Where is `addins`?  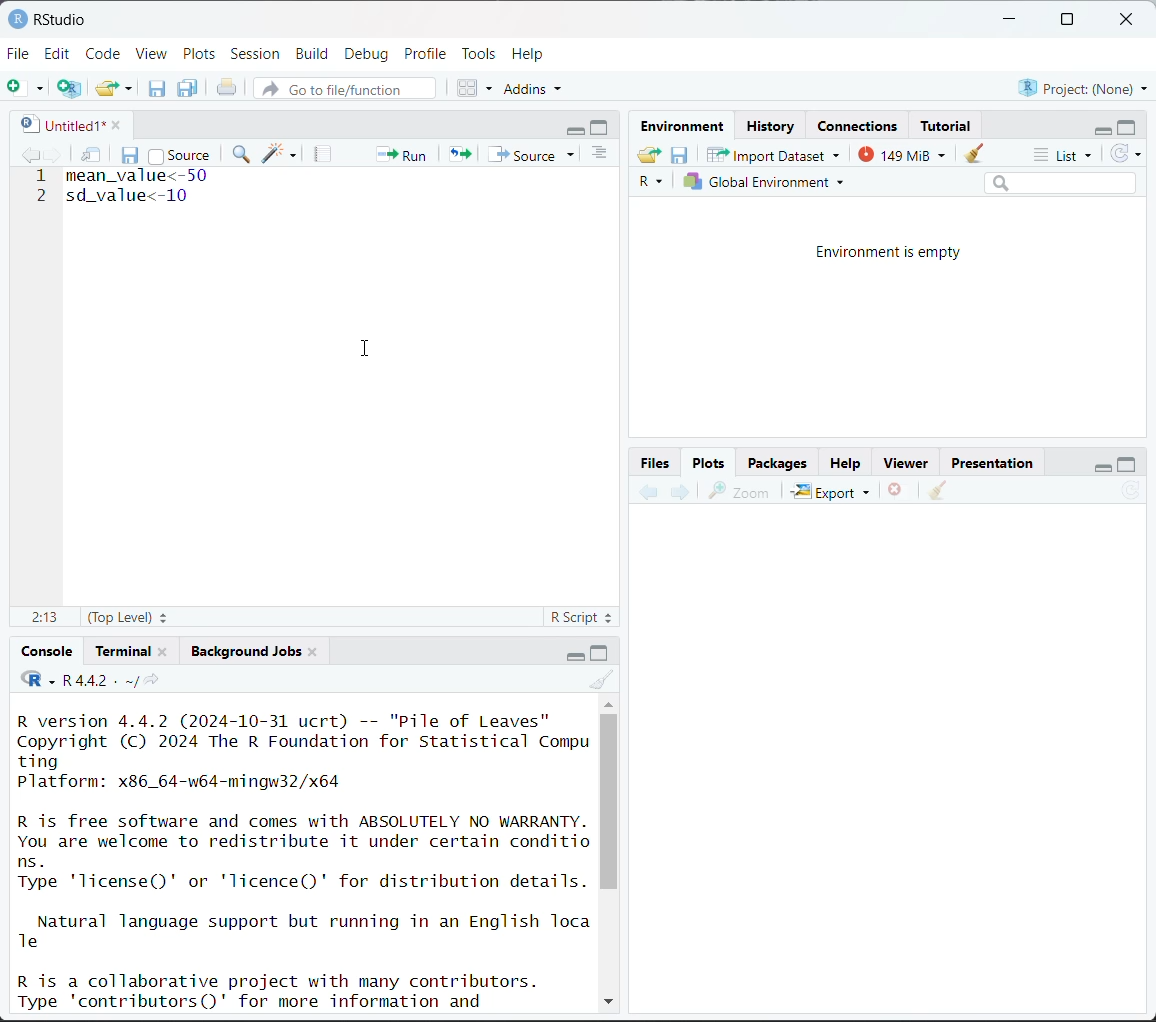 addins is located at coordinates (536, 88).